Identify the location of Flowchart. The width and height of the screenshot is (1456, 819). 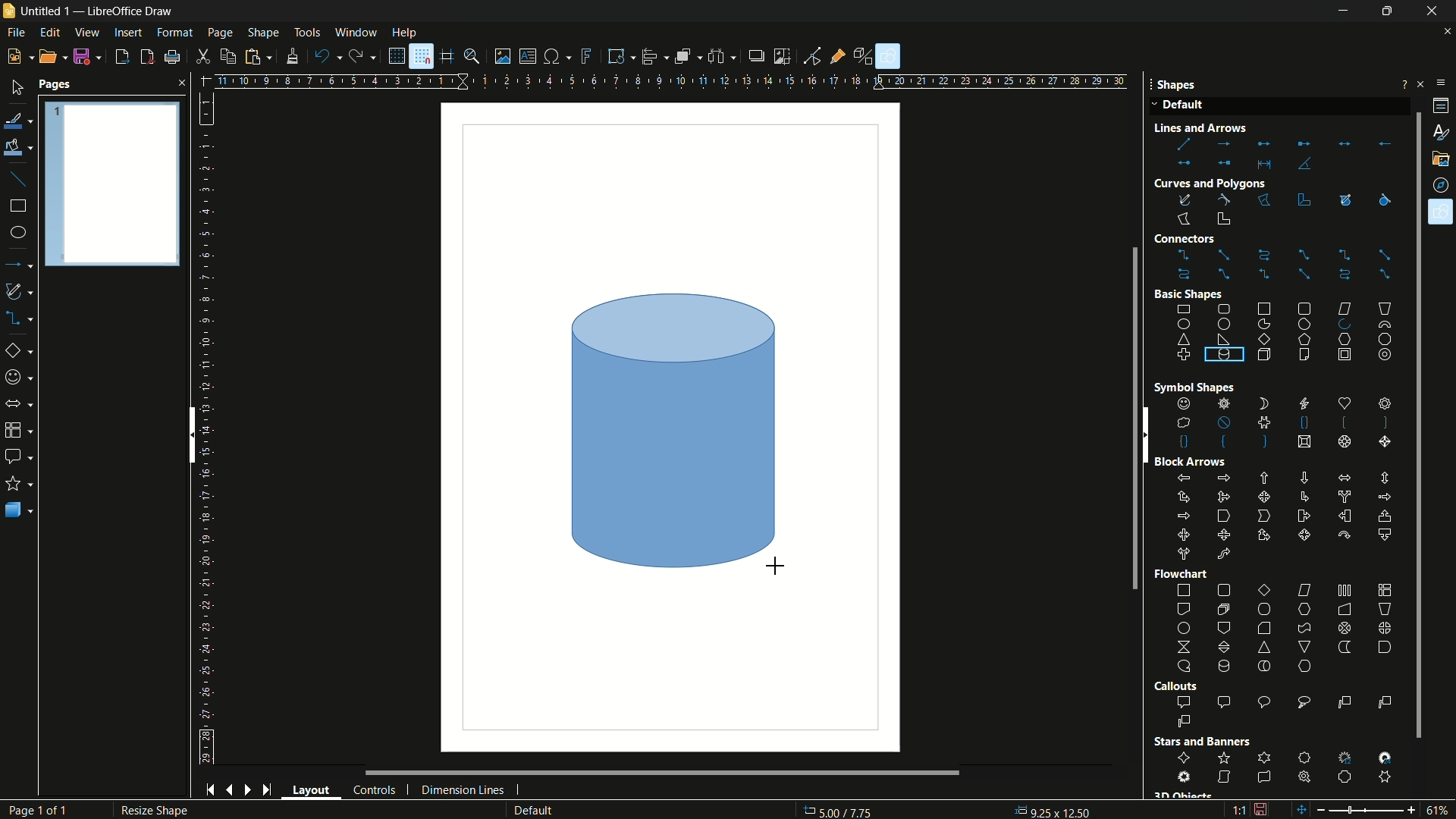
(1183, 574).